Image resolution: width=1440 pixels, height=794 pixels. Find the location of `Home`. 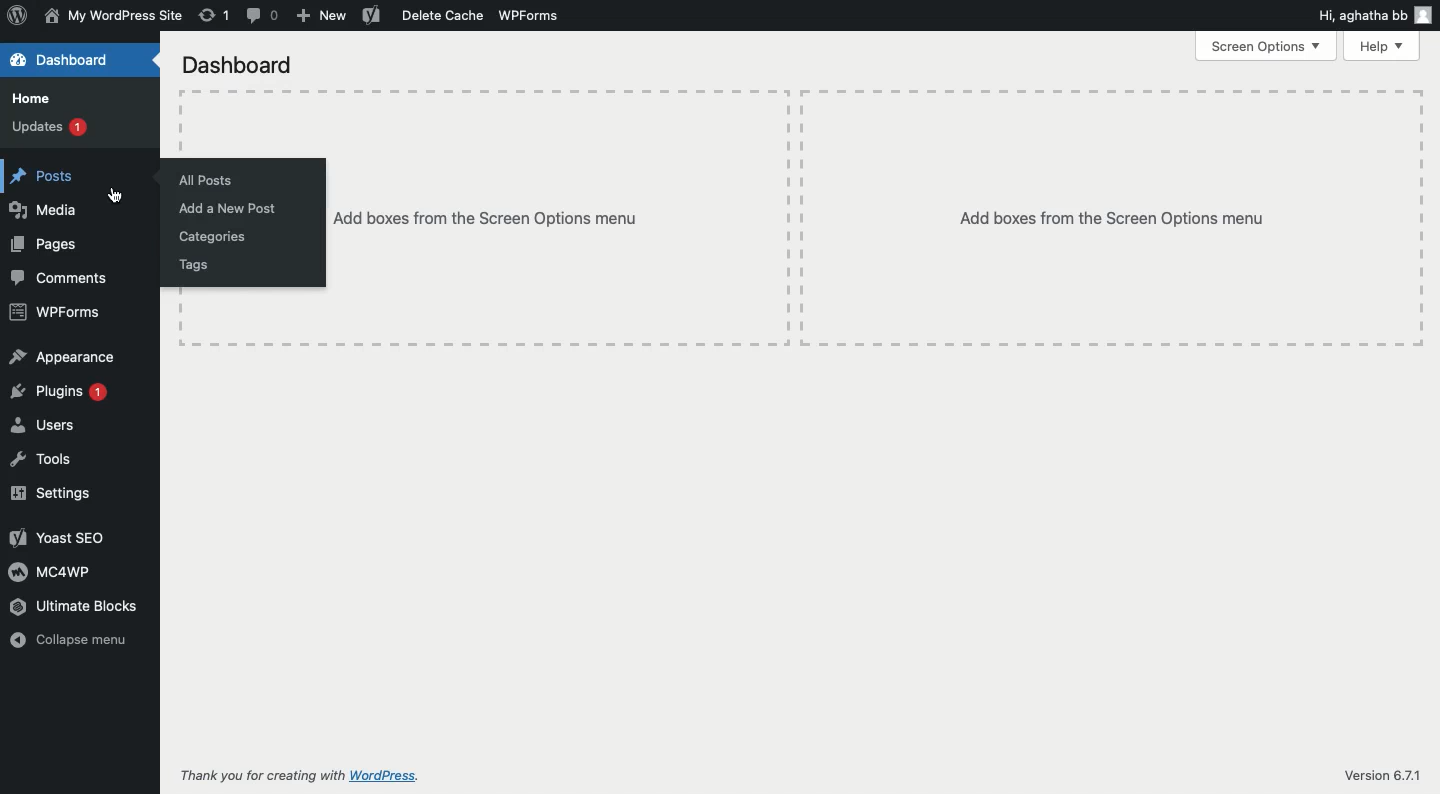

Home is located at coordinates (33, 99).